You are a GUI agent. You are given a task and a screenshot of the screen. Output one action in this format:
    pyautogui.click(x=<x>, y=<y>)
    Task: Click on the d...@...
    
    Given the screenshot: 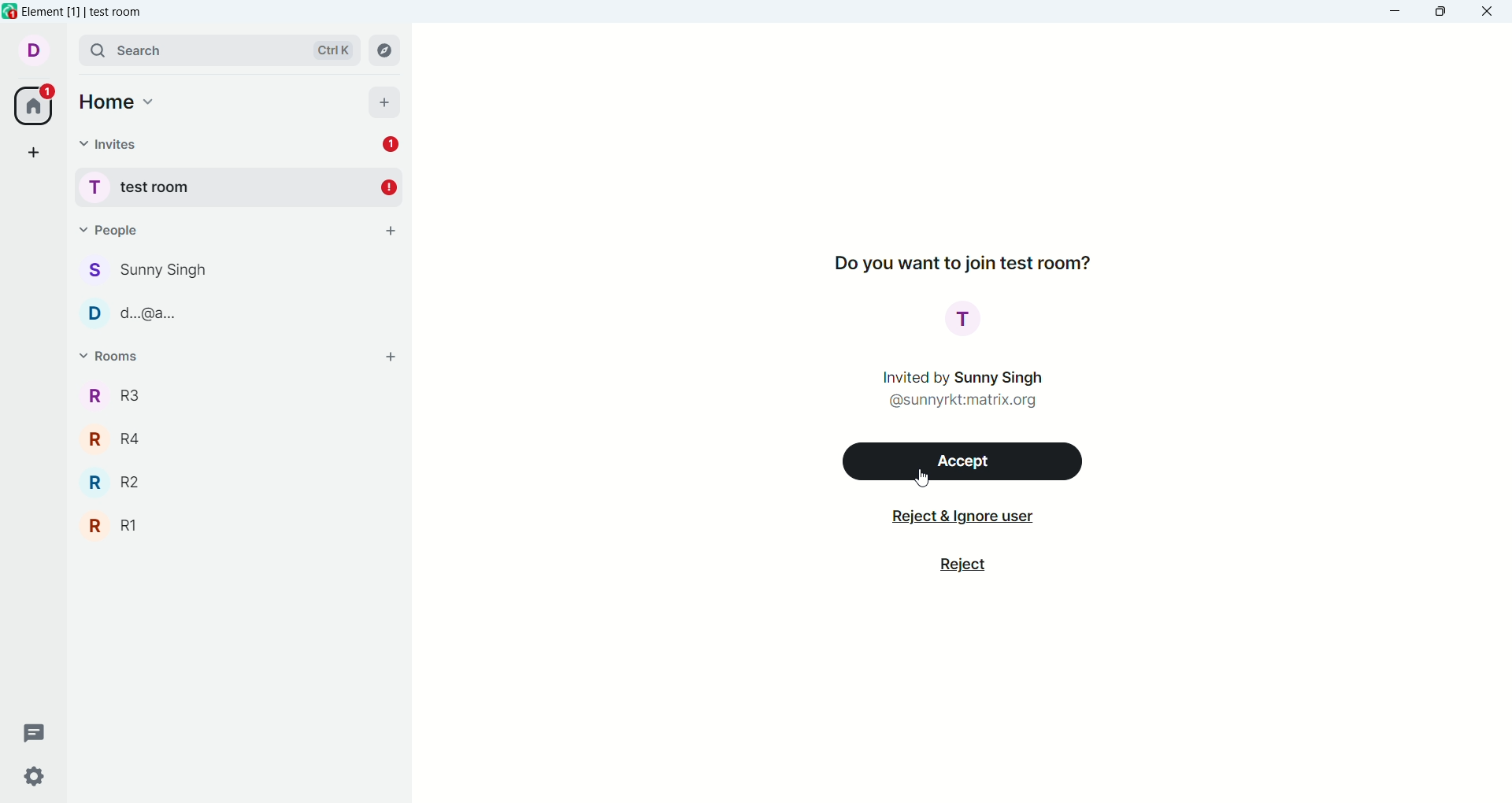 What is the action you would take?
    pyautogui.click(x=238, y=311)
    